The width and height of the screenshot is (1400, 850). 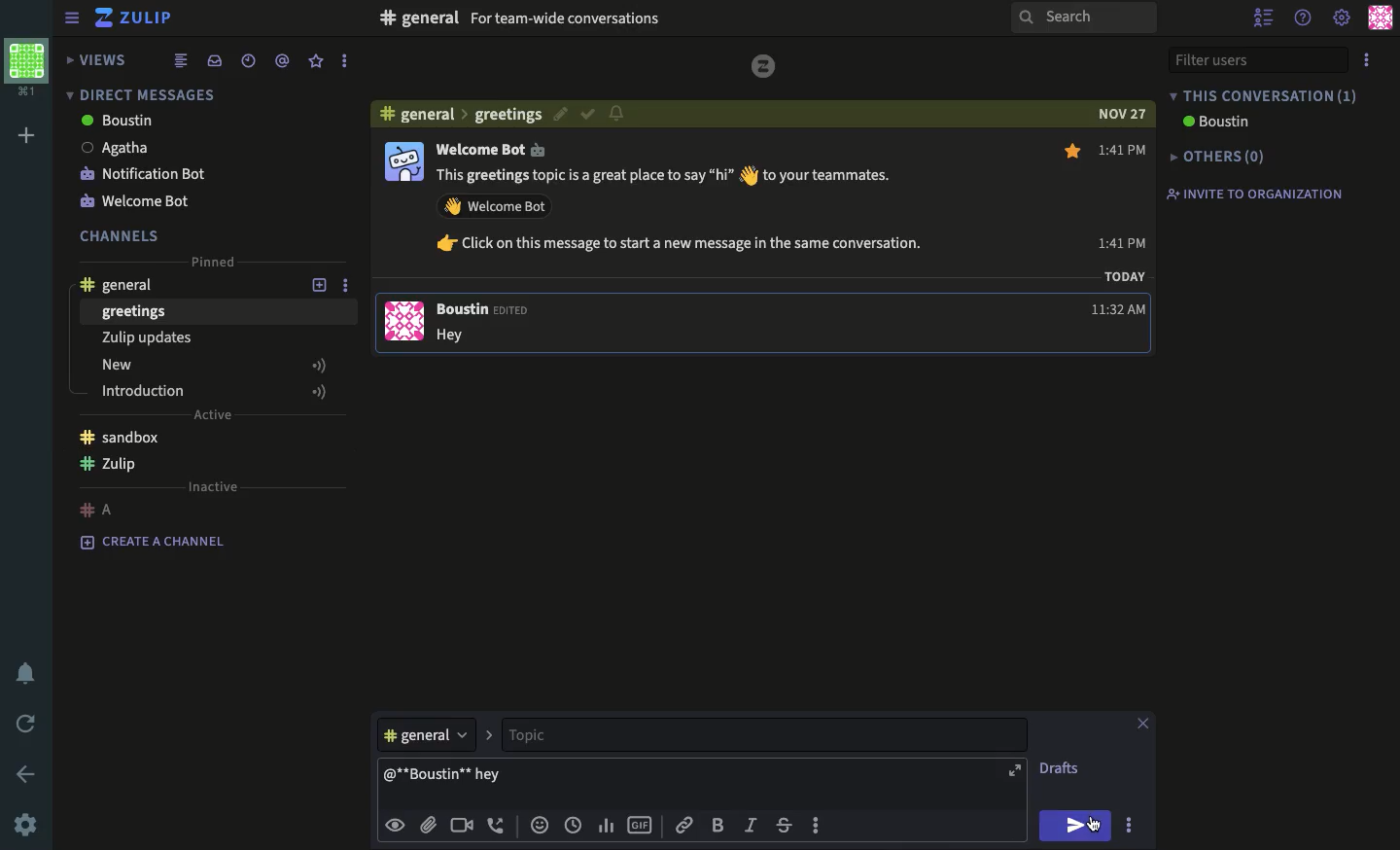 I want to click on help, so click(x=1306, y=16).